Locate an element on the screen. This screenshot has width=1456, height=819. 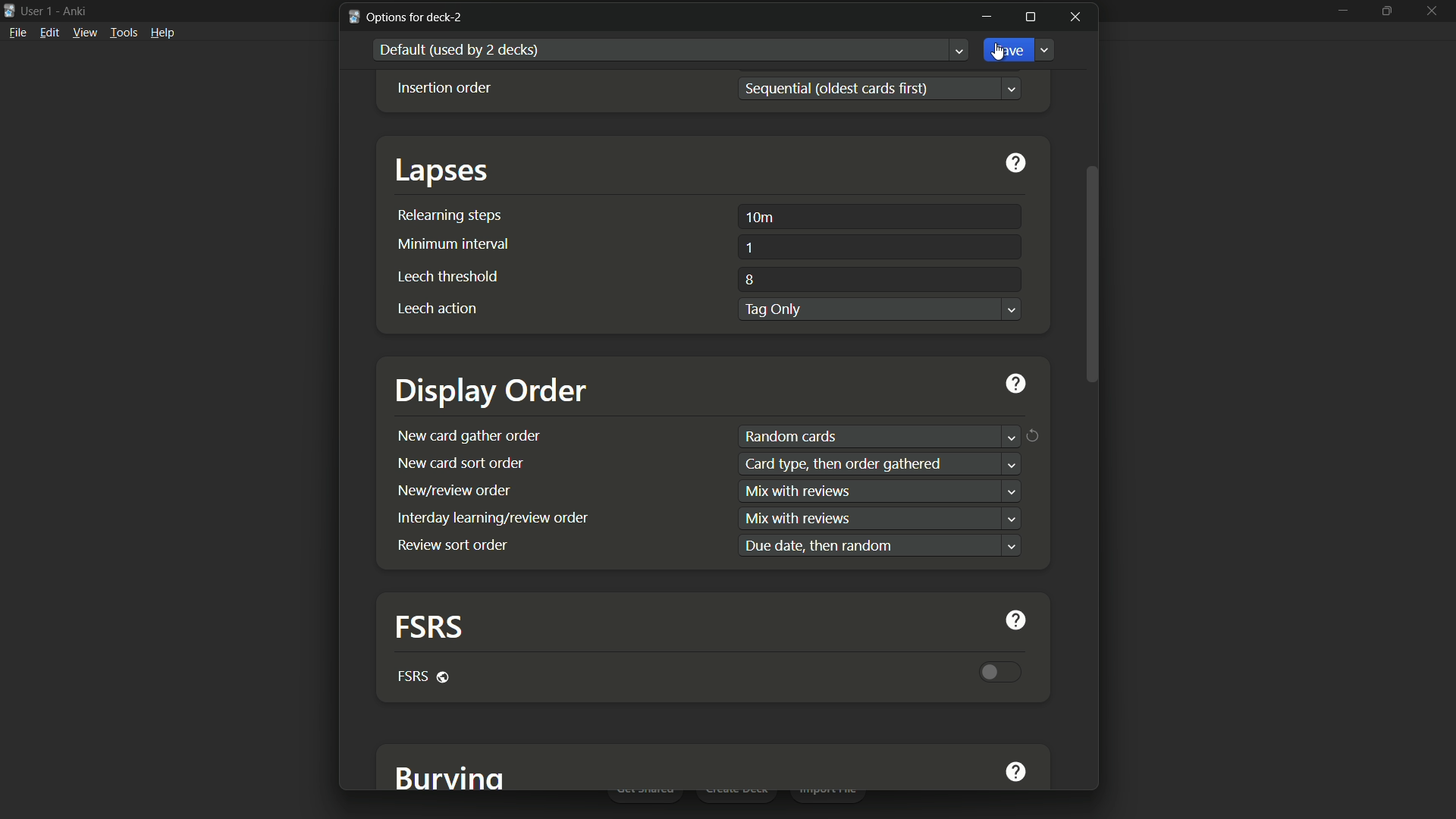
tools menu is located at coordinates (124, 33).